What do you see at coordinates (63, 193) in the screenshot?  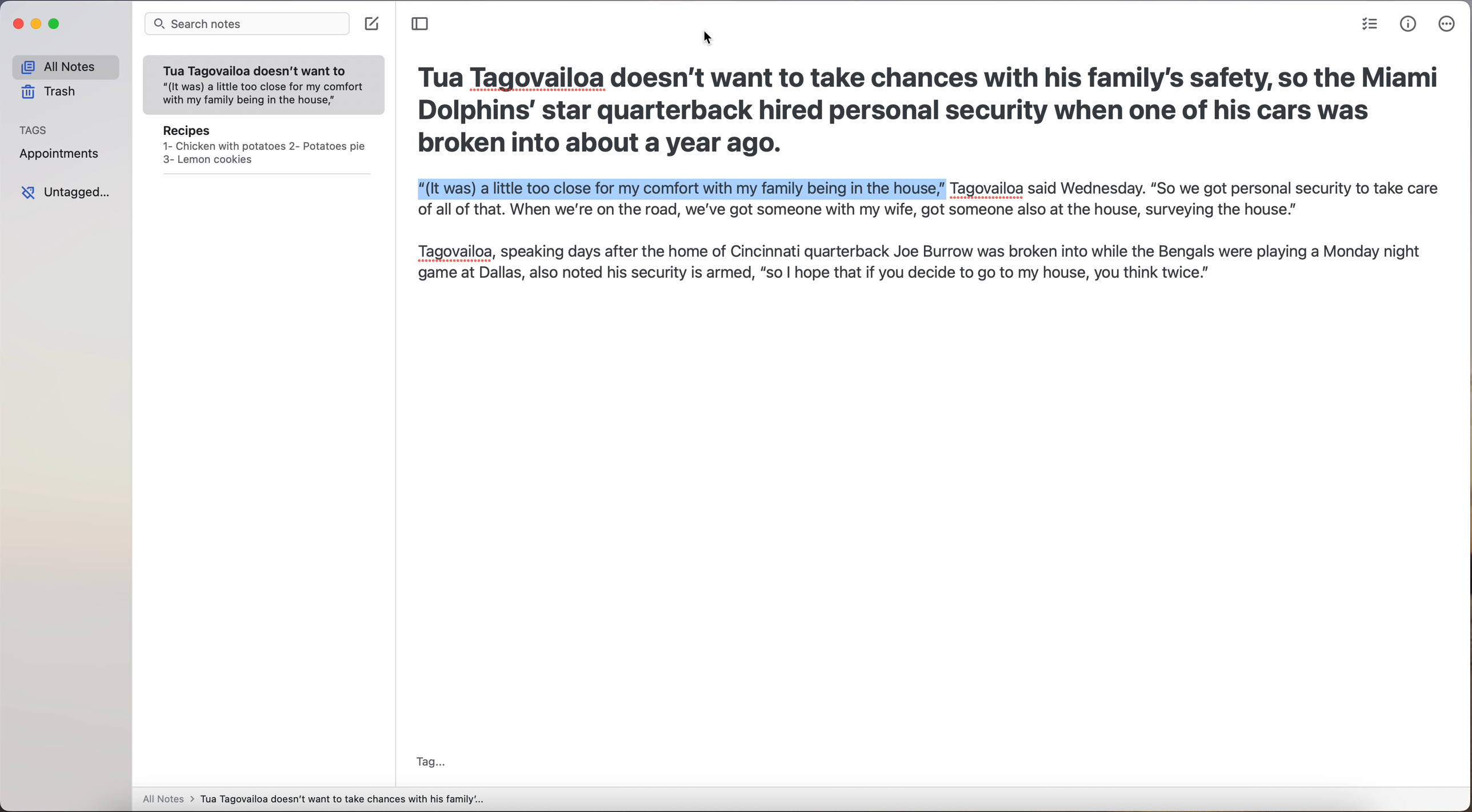 I see `untagged...` at bounding box center [63, 193].